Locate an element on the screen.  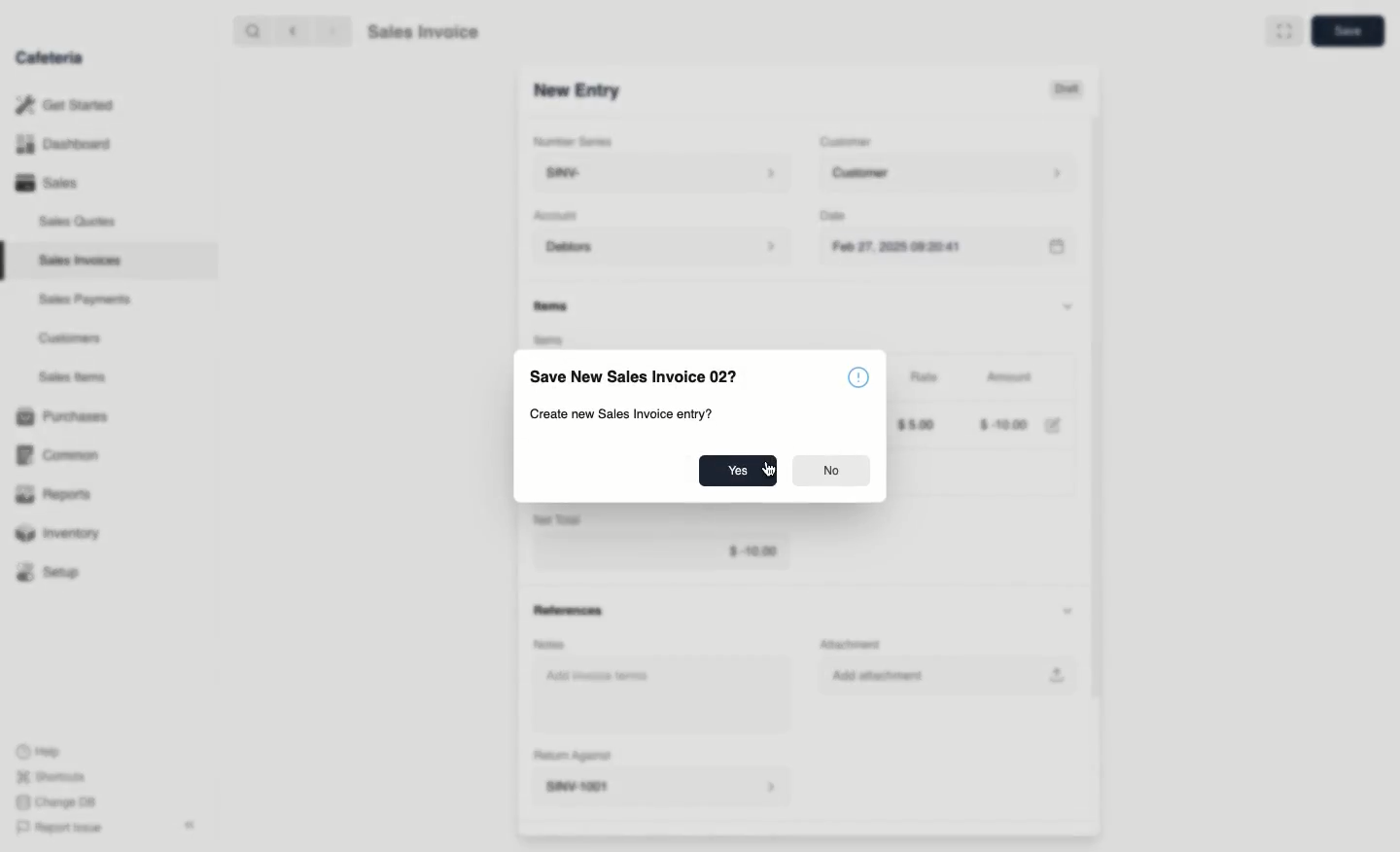
Shortcuts is located at coordinates (52, 775).